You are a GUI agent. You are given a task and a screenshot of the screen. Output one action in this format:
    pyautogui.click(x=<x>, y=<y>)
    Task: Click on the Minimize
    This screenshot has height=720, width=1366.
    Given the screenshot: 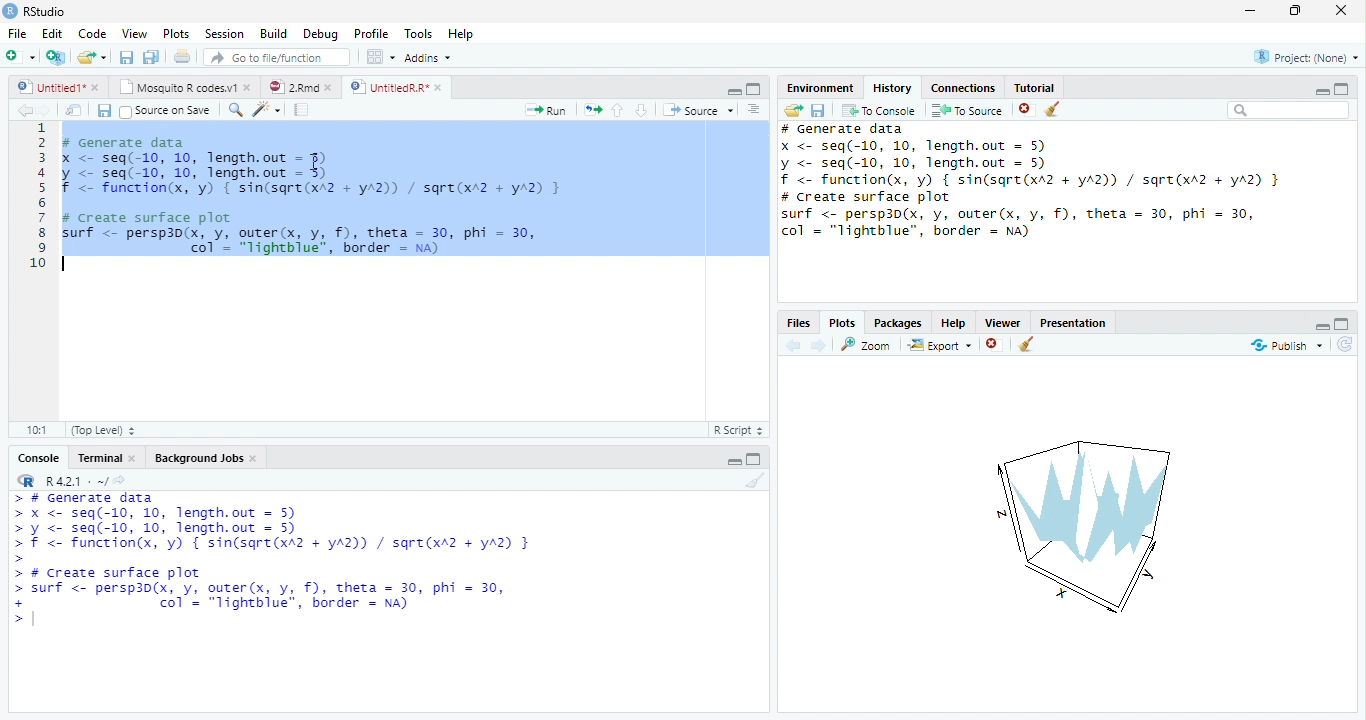 What is the action you would take?
    pyautogui.click(x=734, y=461)
    